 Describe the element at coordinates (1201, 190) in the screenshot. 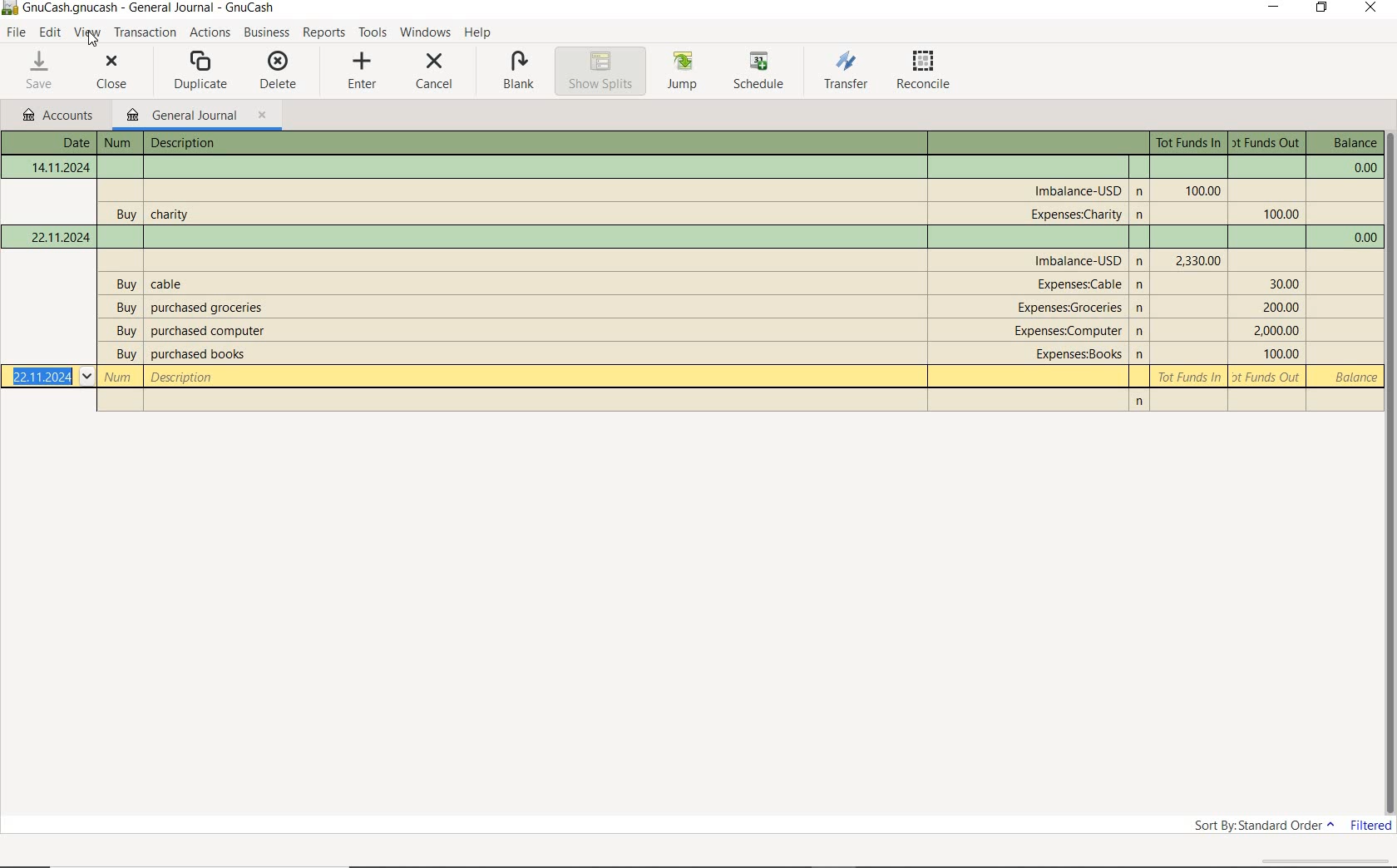

I see `Tot Funds In` at that location.